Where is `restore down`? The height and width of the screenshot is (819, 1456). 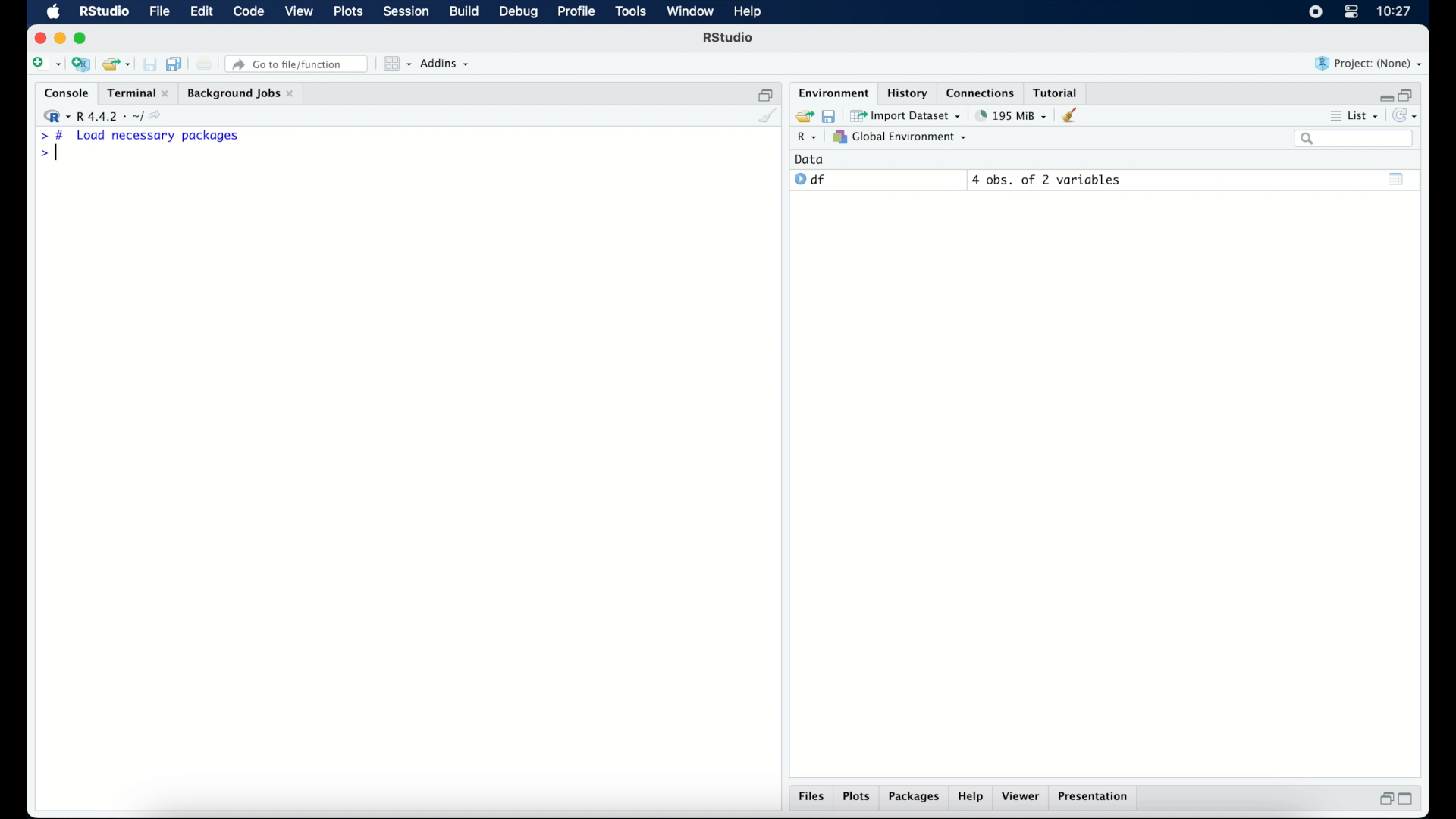
restore down is located at coordinates (1384, 800).